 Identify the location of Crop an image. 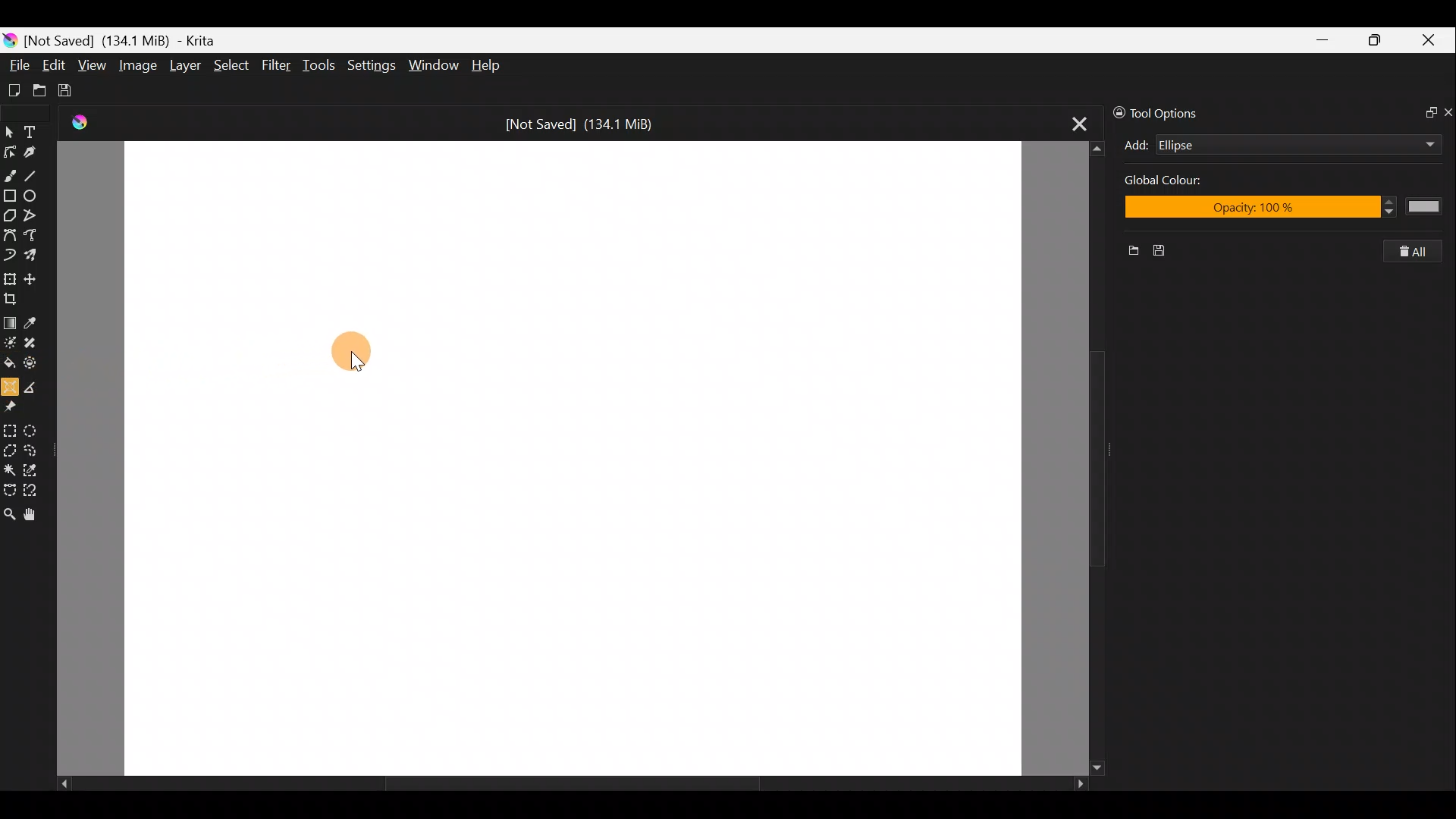
(14, 297).